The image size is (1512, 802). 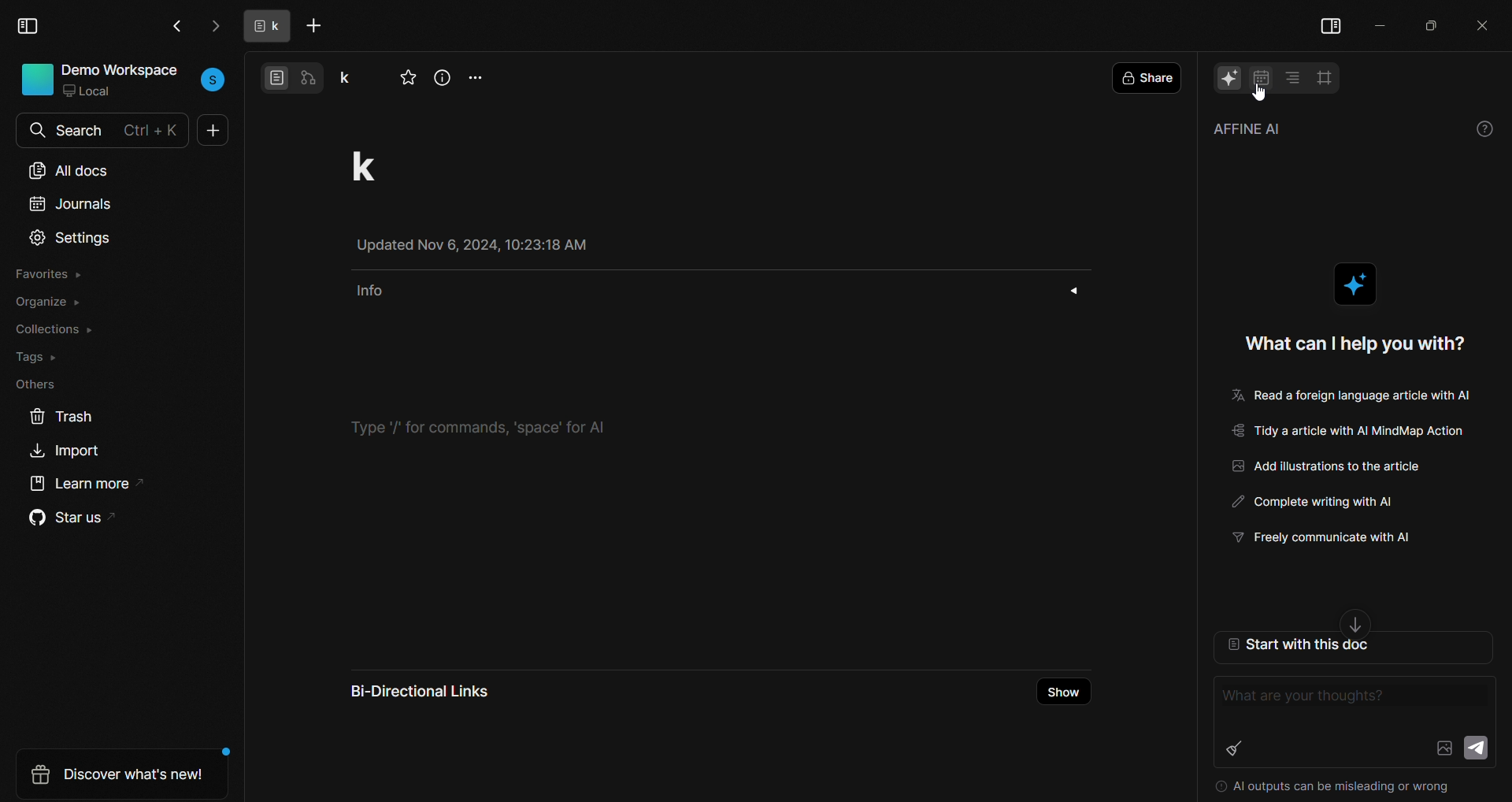 What do you see at coordinates (409, 79) in the screenshot?
I see `favorite` at bounding box center [409, 79].